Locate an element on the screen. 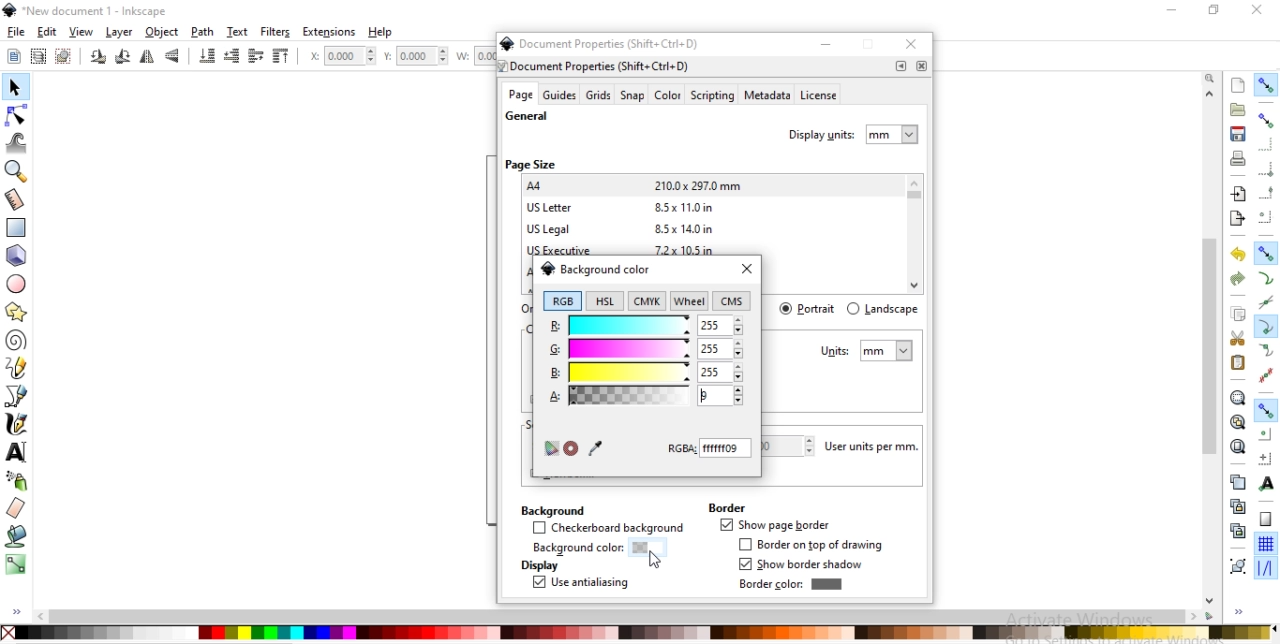 The height and width of the screenshot is (644, 1280). scrollbar is located at coordinates (1211, 398).